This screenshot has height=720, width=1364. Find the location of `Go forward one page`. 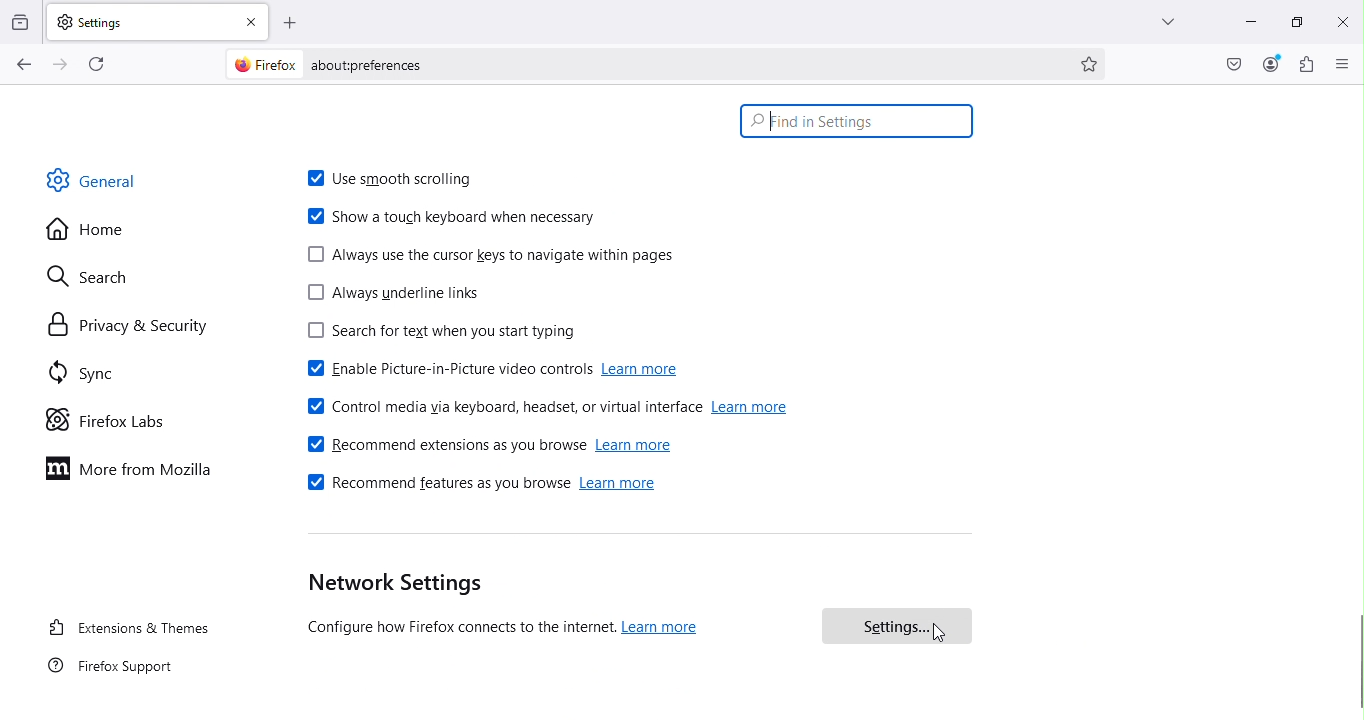

Go forward one page is located at coordinates (58, 63).